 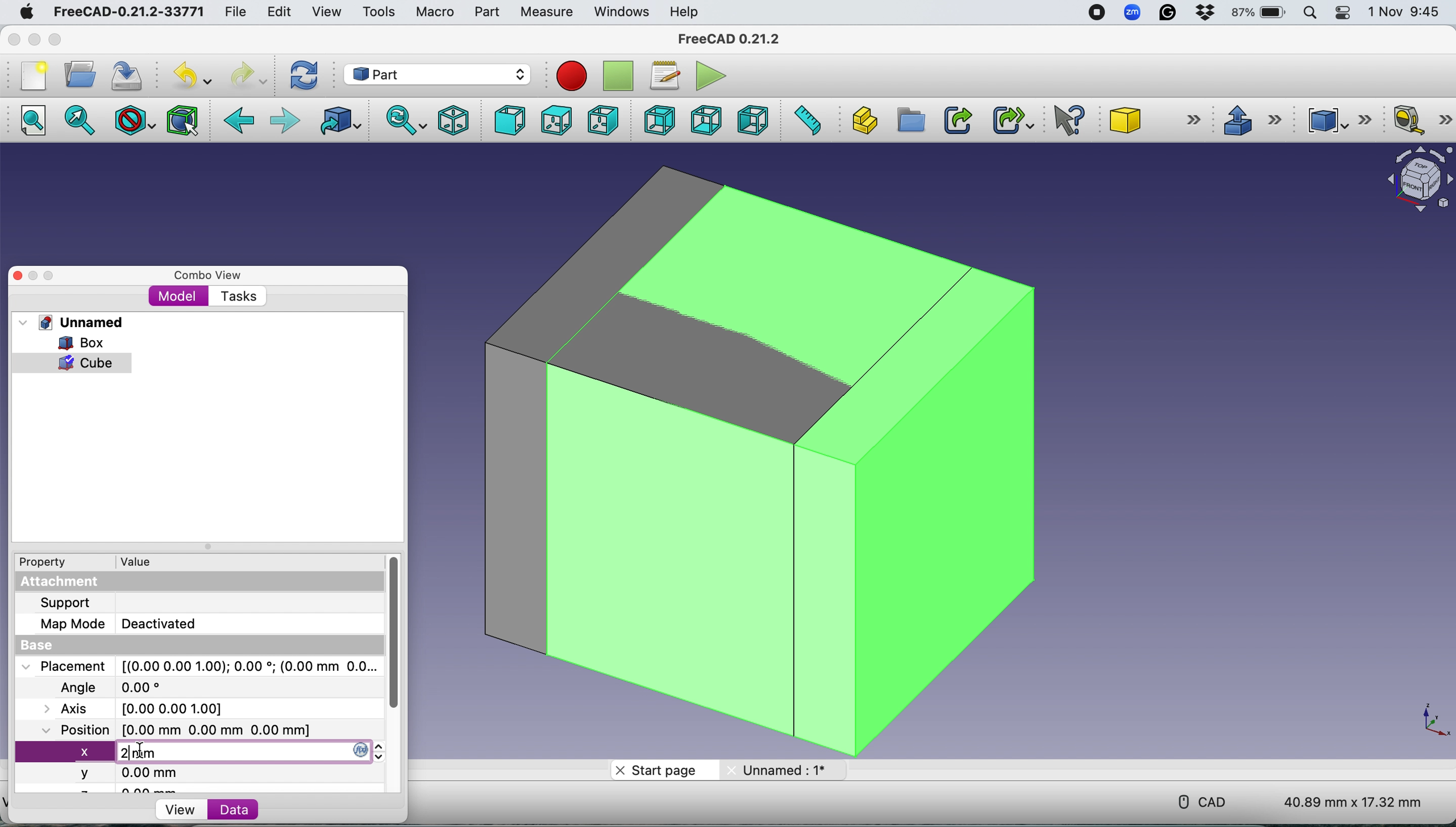 What do you see at coordinates (240, 122) in the screenshot?
I see `Backward` at bounding box center [240, 122].